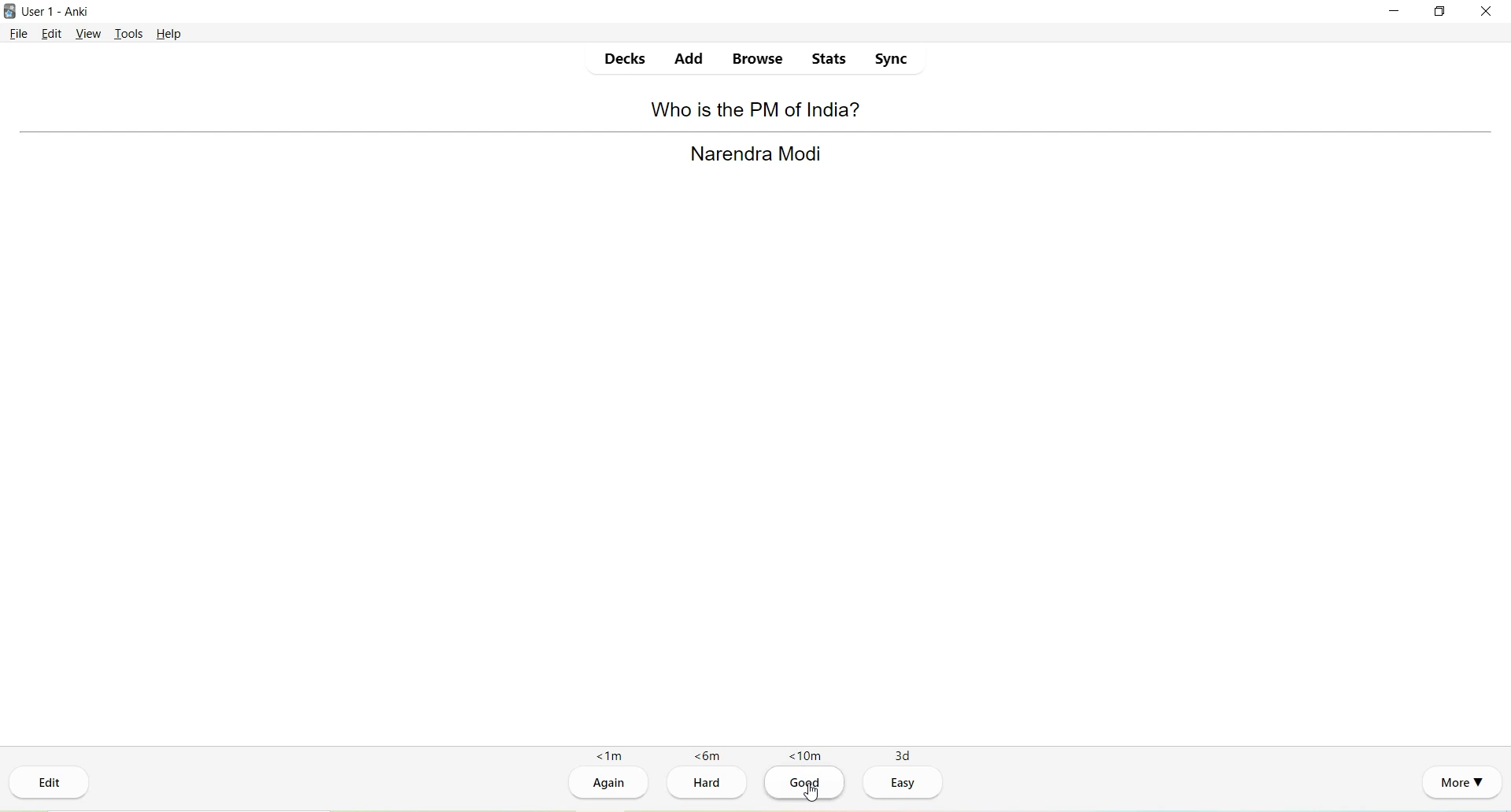 This screenshot has width=1511, height=812. What do you see at coordinates (56, 12) in the screenshot?
I see `User 1 - Anki` at bounding box center [56, 12].